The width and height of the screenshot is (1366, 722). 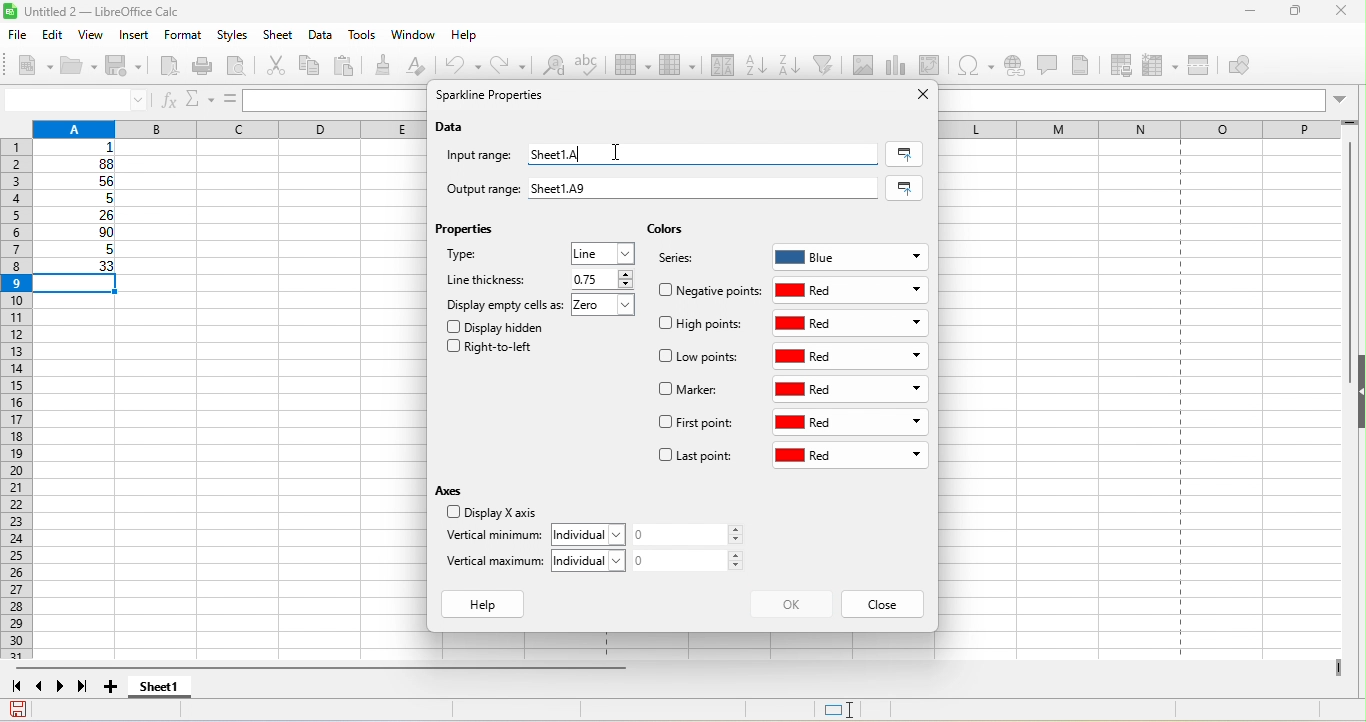 I want to click on output range, so click(x=474, y=186).